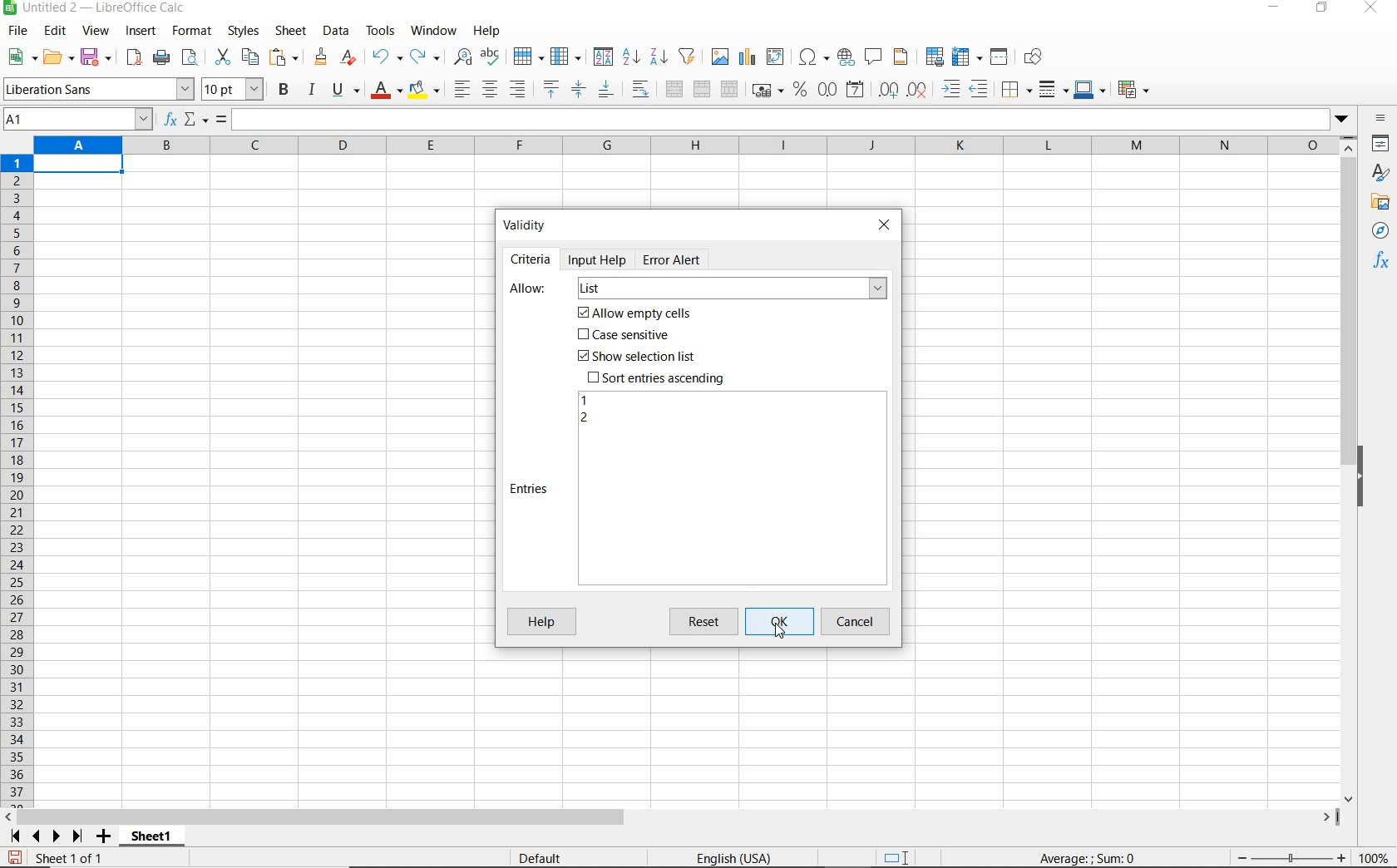 The width and height of the screenshot is (1397, 868). Describe the element at coordinates (242, 32) in the screenshot. I see `styles` at that location.